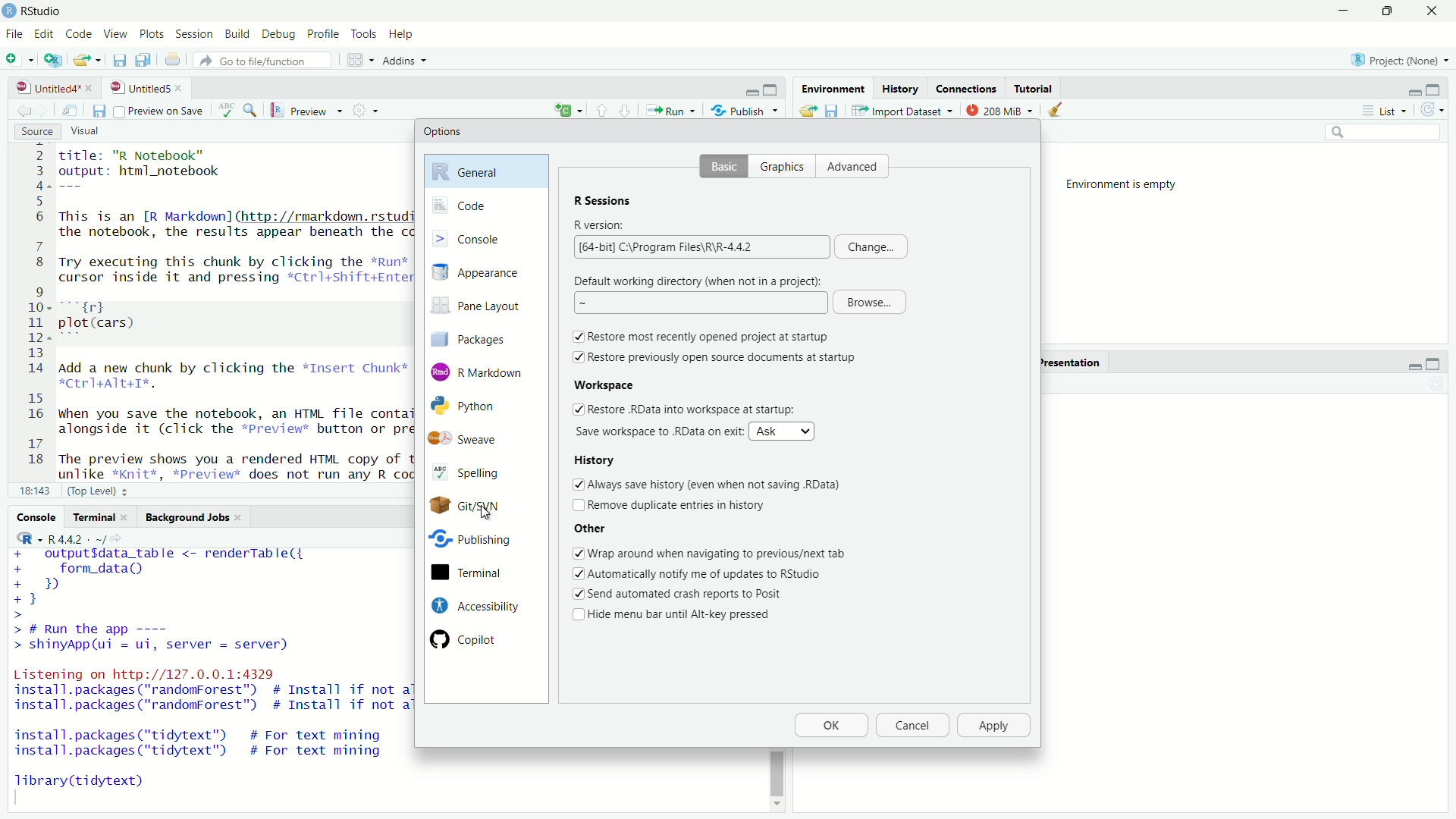  I want to click on check box, so click(575, 554).